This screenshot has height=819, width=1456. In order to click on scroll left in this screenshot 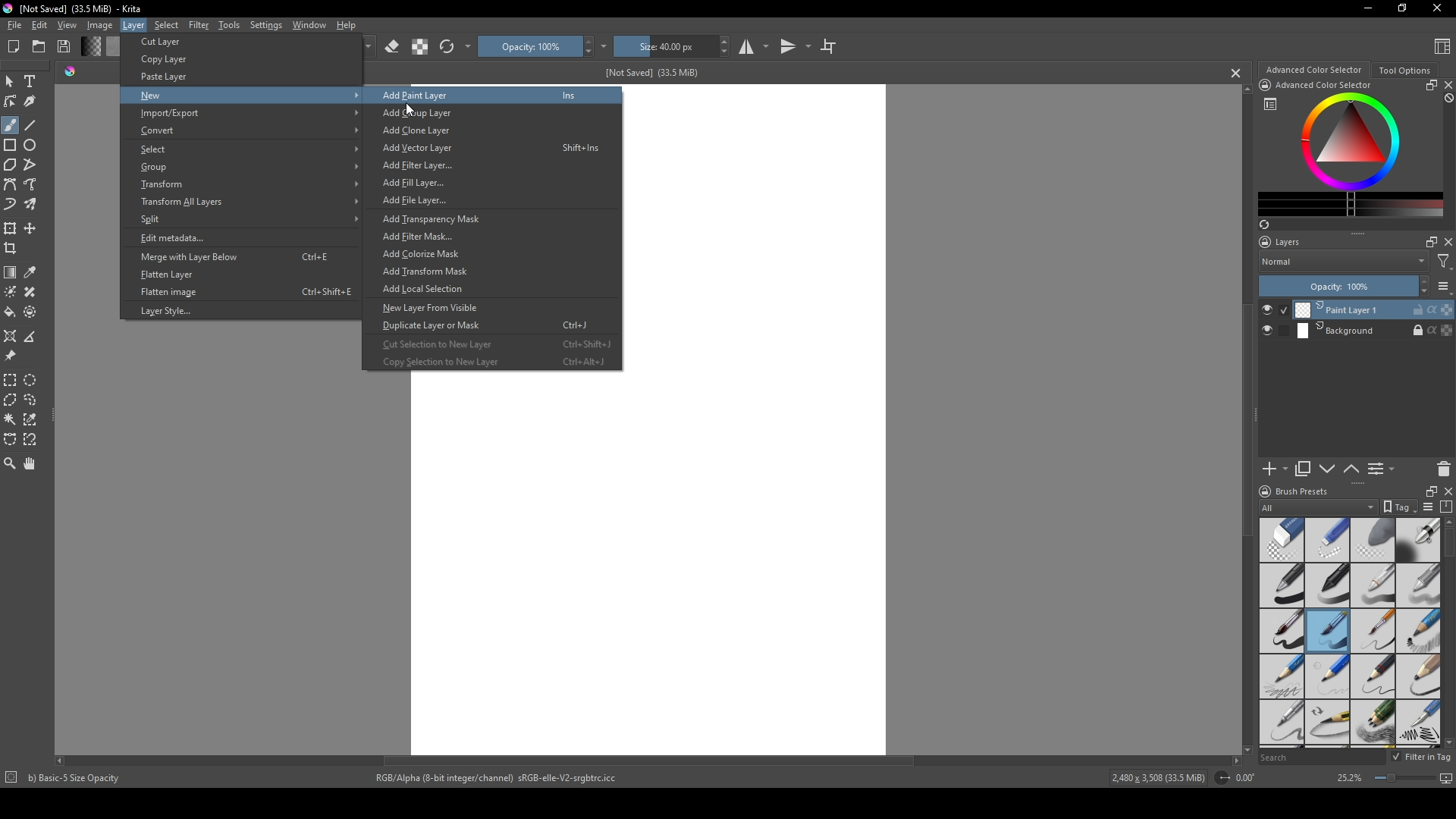, I will do `click(63, 761)`.